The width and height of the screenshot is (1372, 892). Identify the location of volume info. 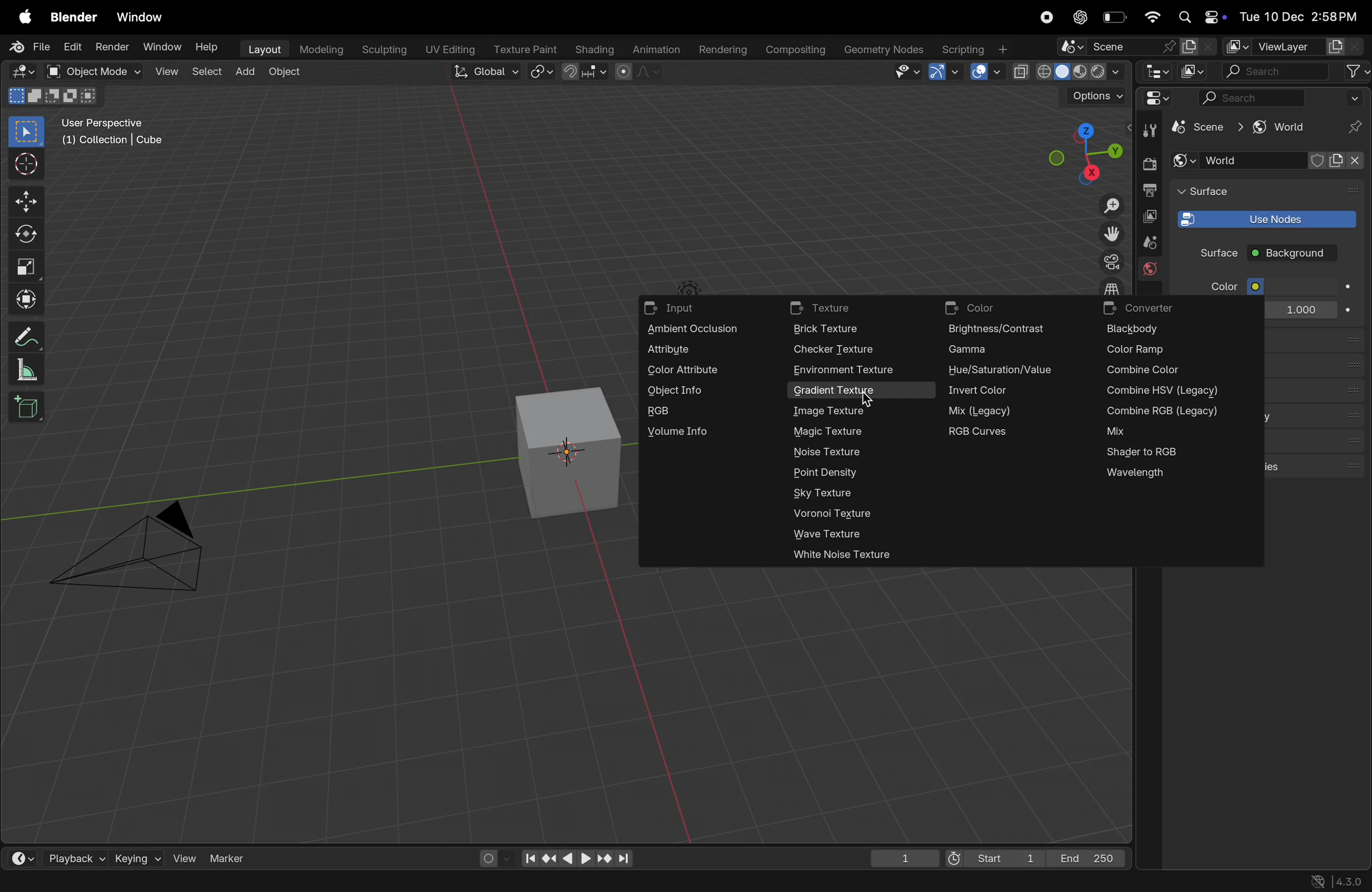
(689, 433).